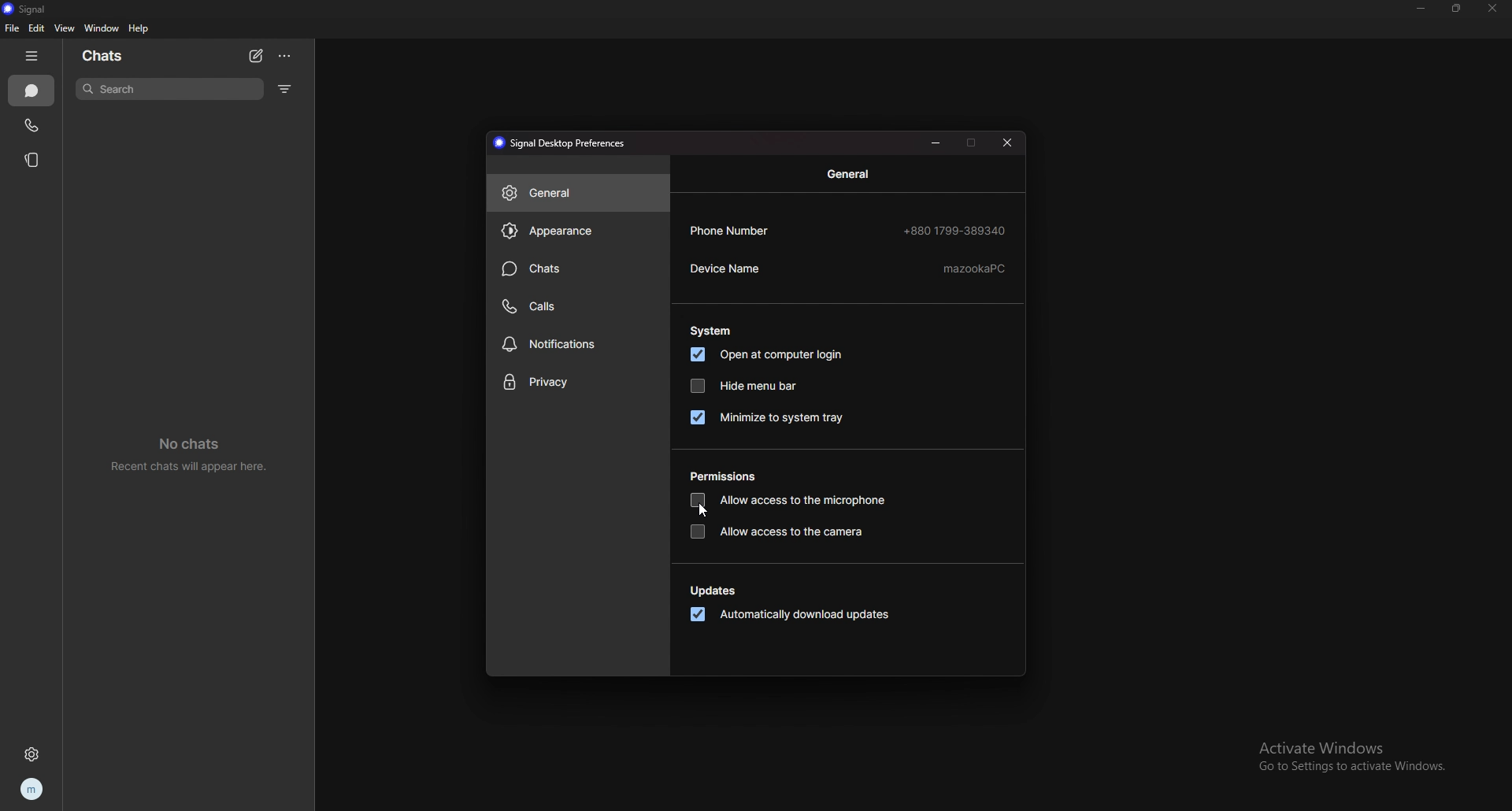  Describe the element at coordinates (854, 173) in the screenshot. I see `general` at that location.